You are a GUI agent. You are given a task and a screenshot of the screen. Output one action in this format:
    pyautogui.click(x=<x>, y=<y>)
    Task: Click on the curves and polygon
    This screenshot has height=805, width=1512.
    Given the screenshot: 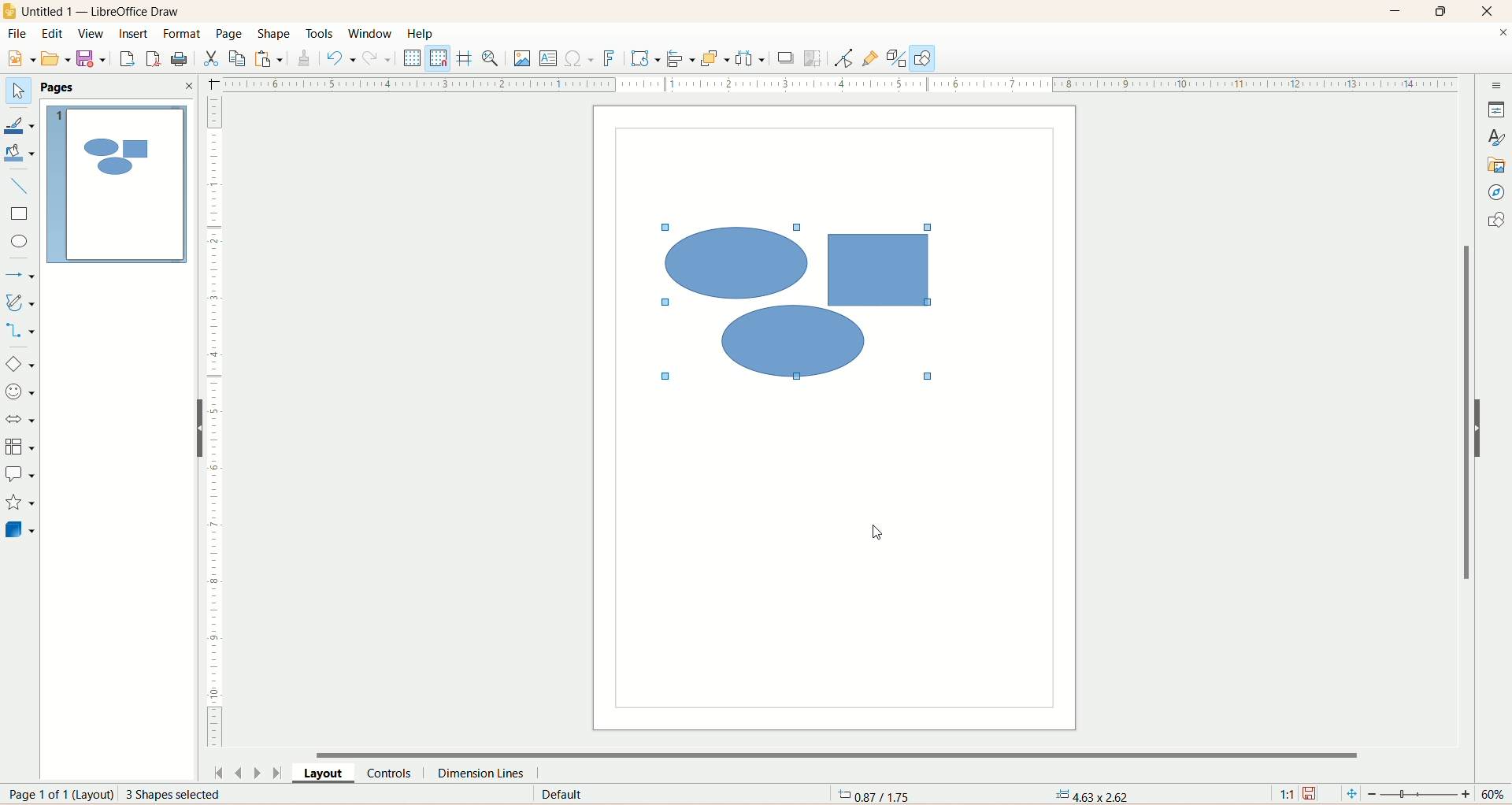 What is the action you would take?
    pyautogui.click(x=20, y=302)
    